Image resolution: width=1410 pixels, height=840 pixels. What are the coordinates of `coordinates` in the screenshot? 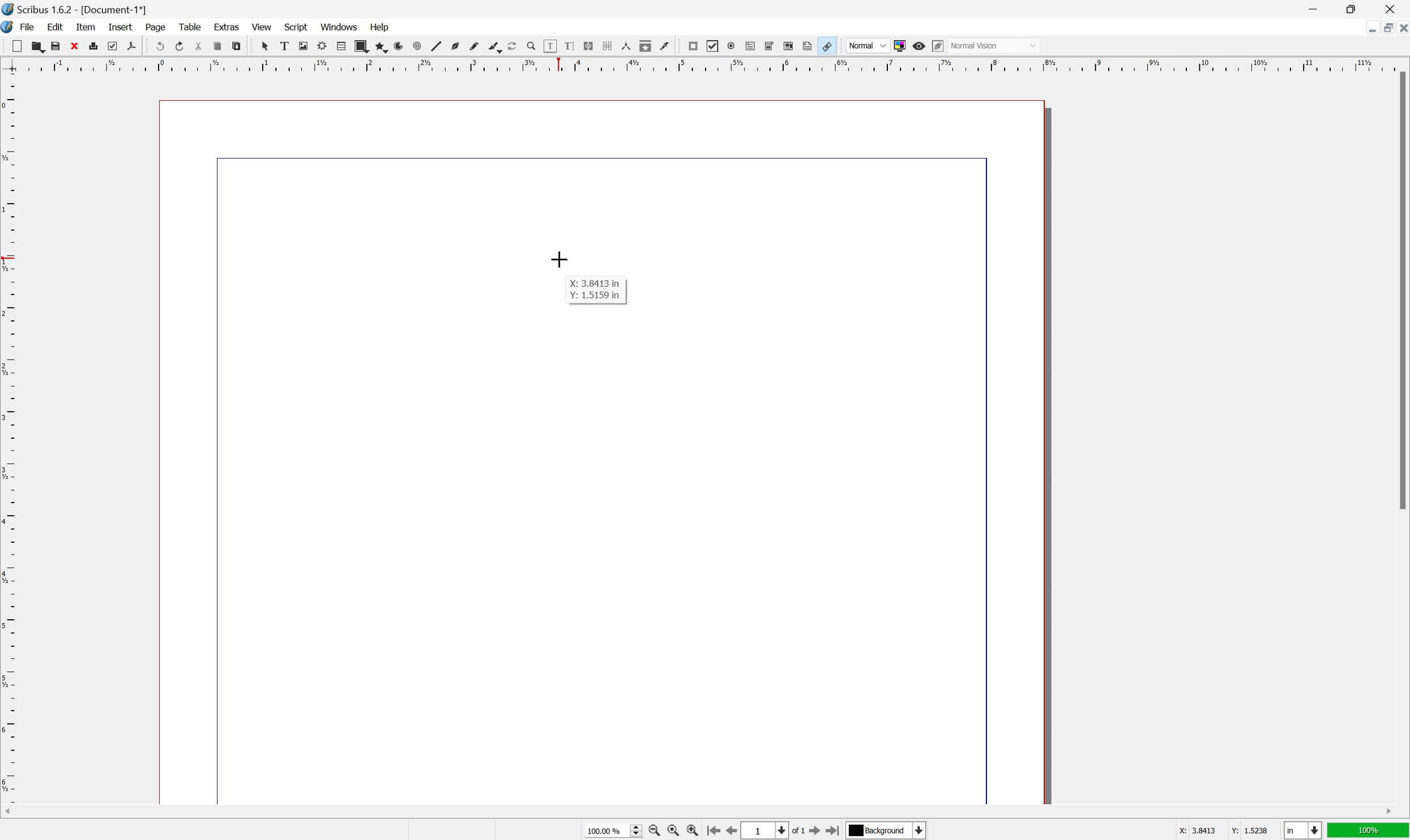 It's located at (1214, 831).